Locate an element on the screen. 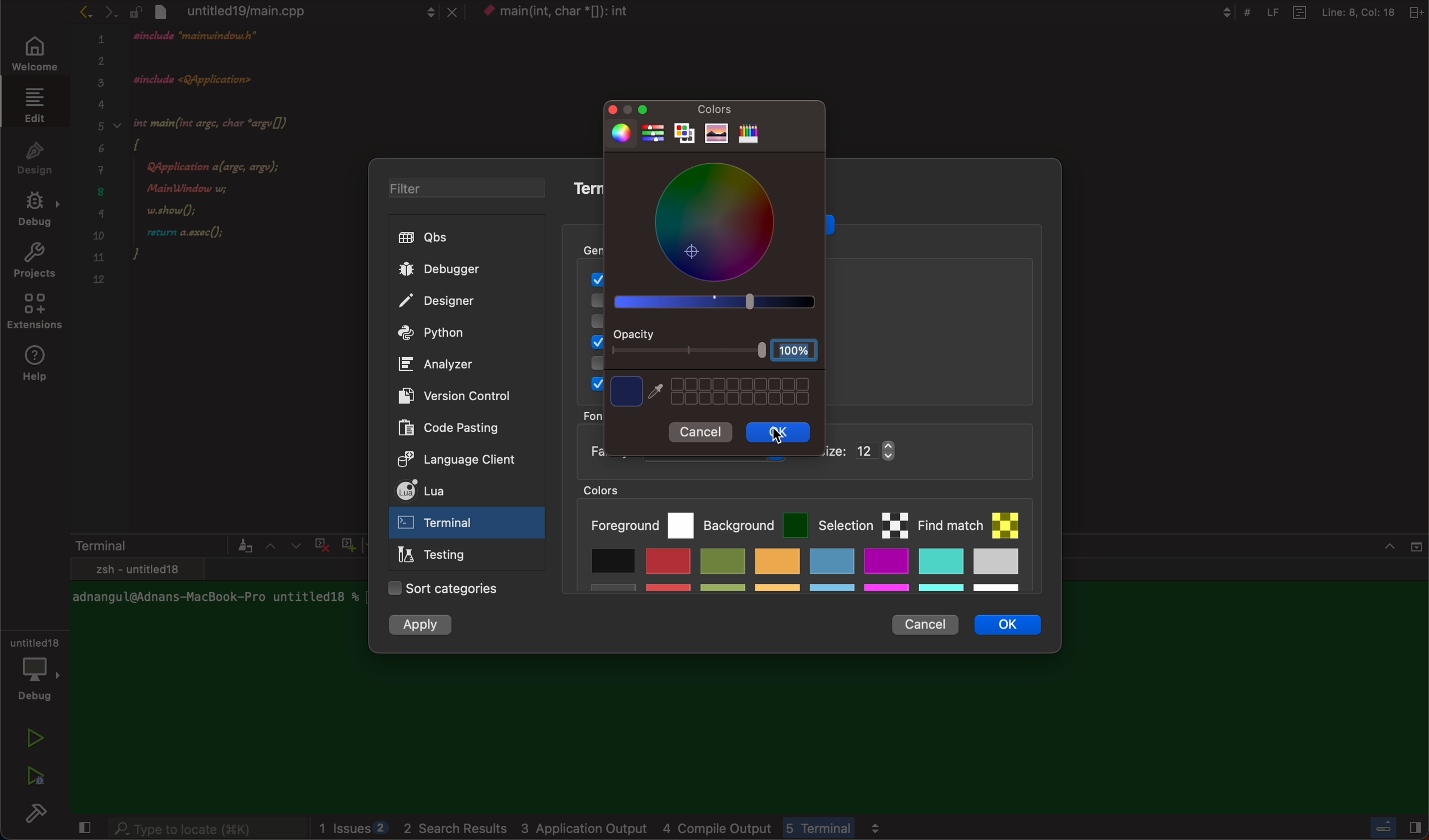 This screenshot has width=1429, height=840. testing is located at coordinates (437, 557).